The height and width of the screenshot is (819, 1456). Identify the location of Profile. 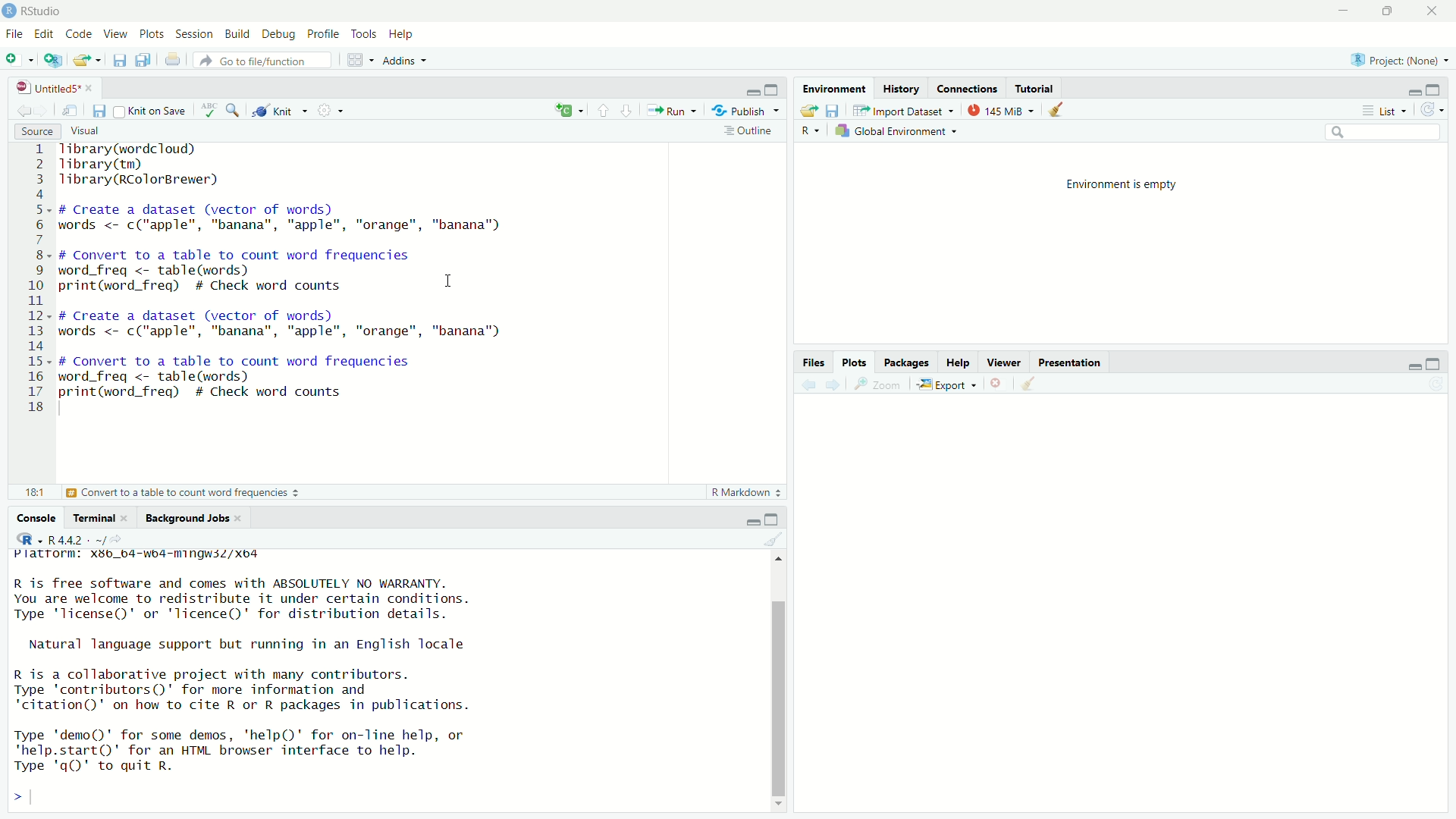
(325, 35).